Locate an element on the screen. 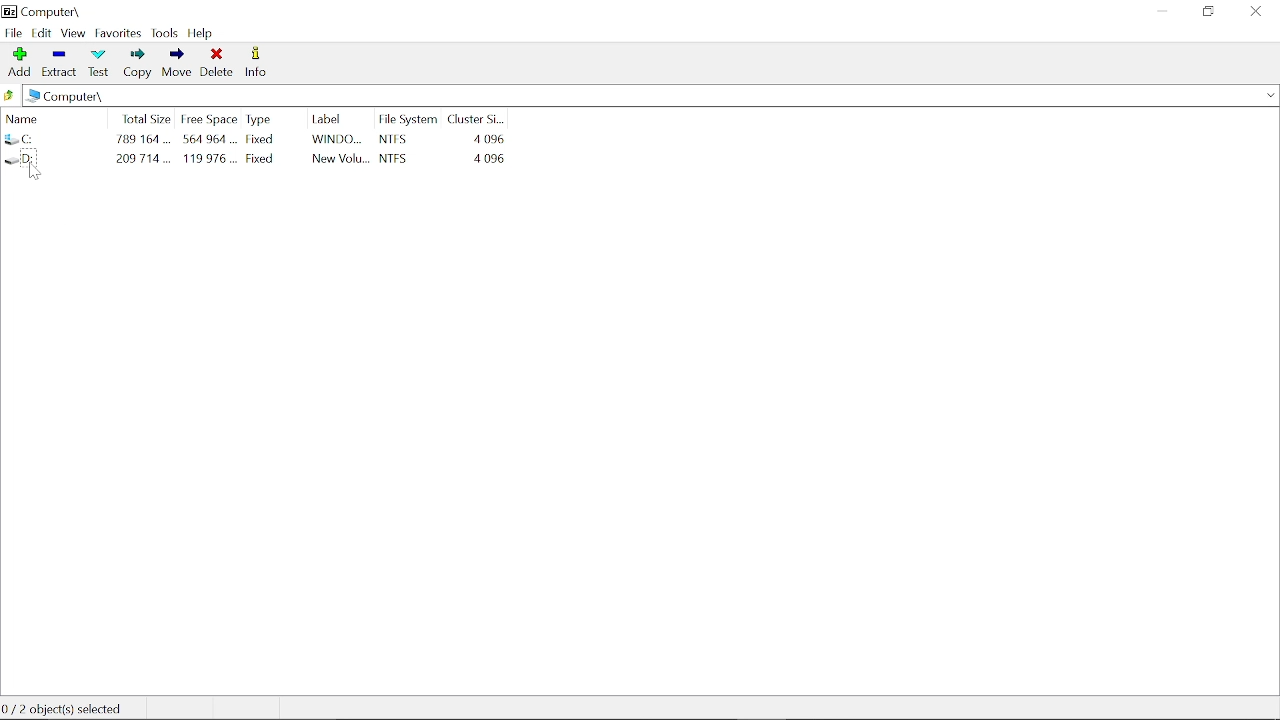 Image resolution: width=1280 pixels, height=720 pixels. Computer\ is located at coordinates (70, 97).